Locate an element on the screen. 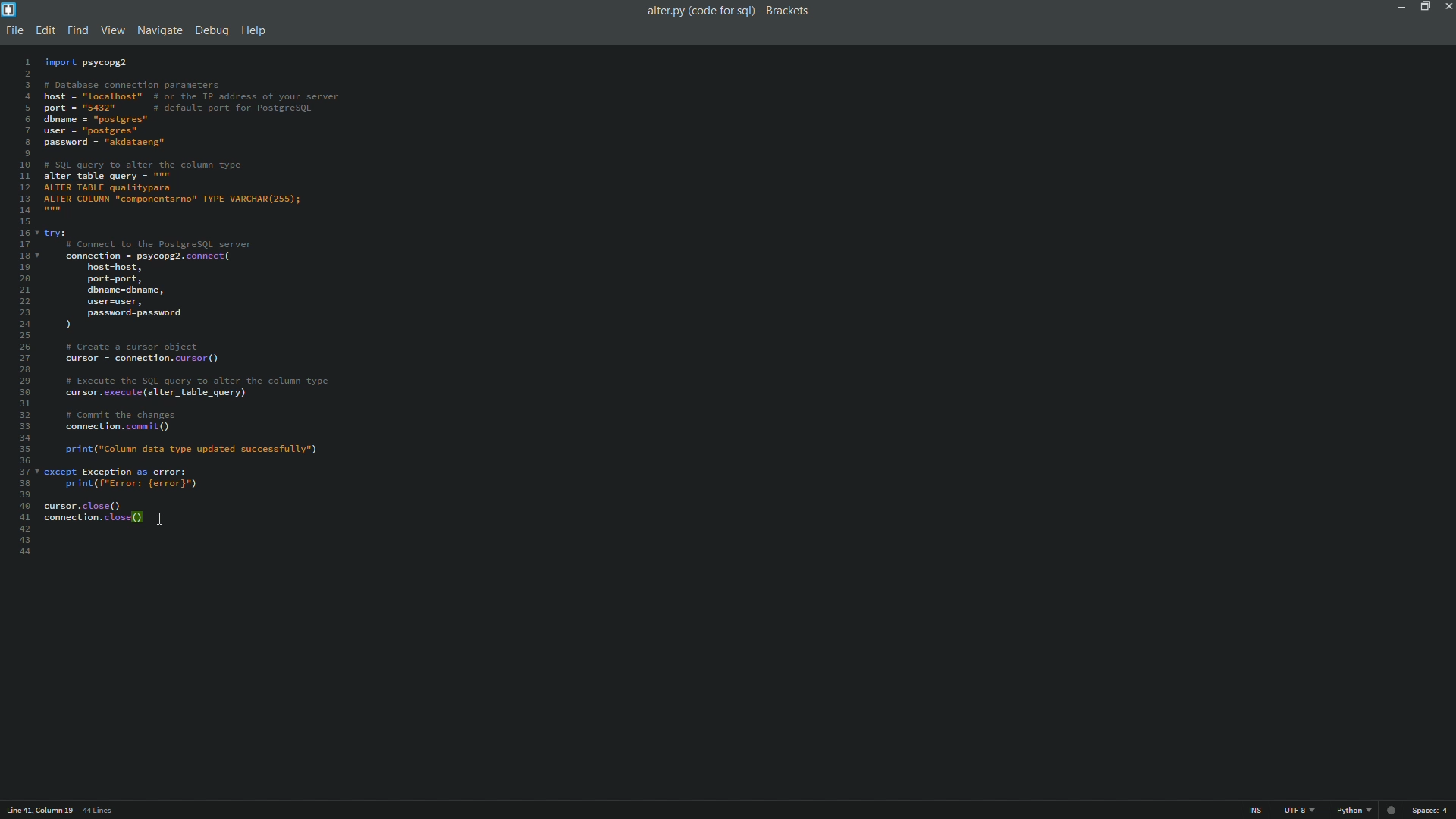 The image size is (1456, 819). help menu is located at coordinates (254, 30).